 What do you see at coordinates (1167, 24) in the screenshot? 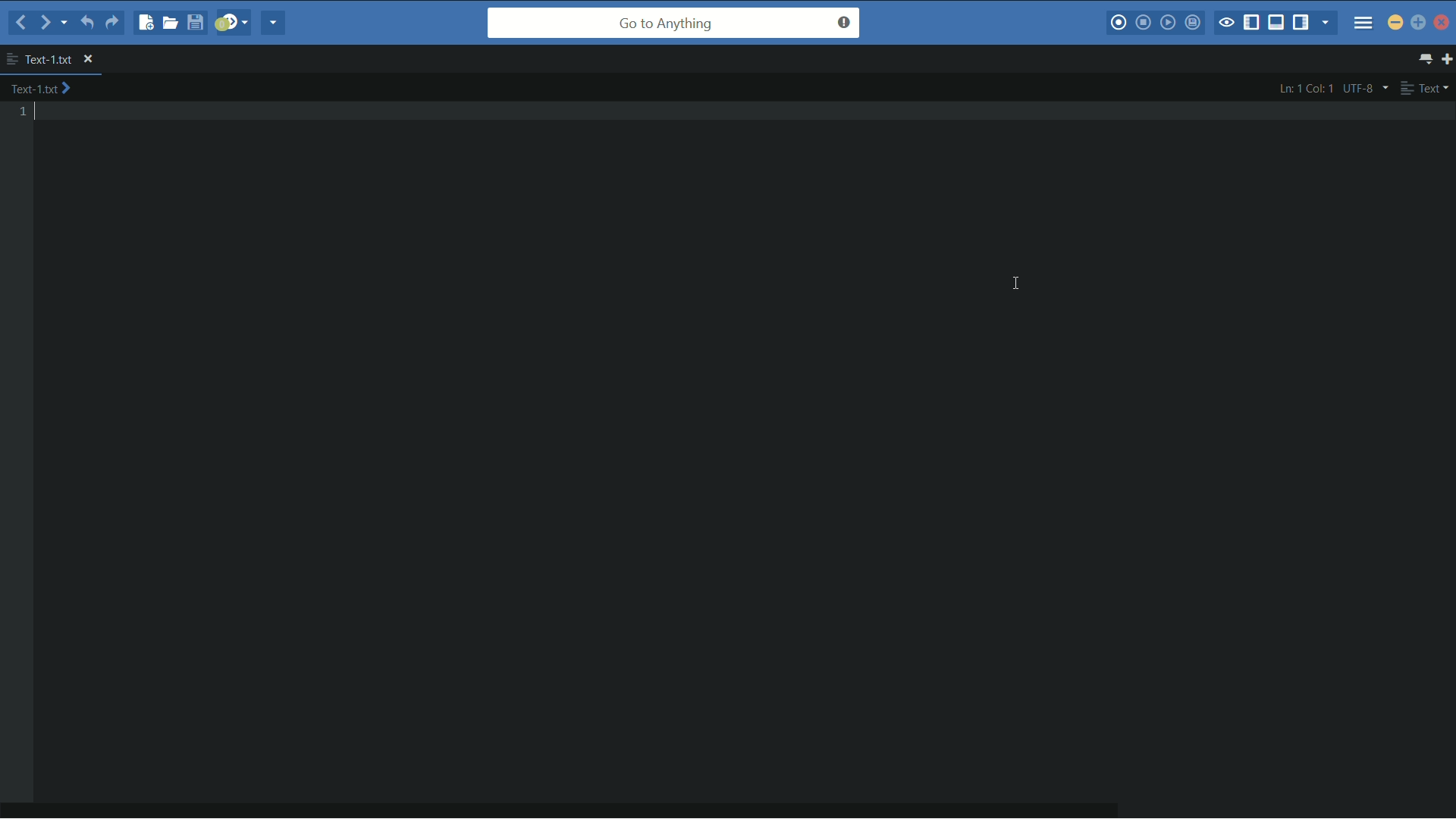
I see `play last macro` at bounding box center [1167, 24].